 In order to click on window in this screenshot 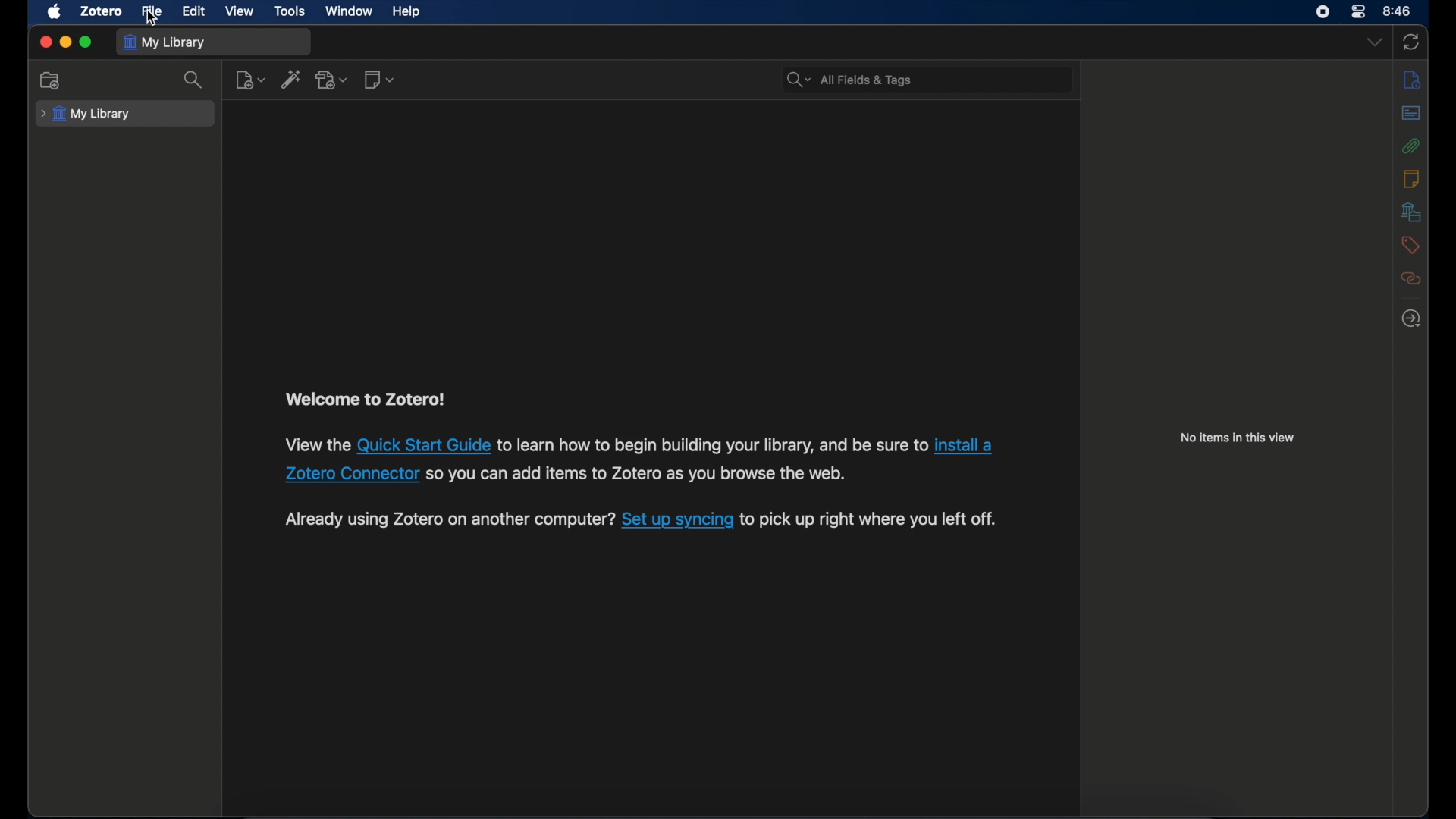, I will do `click(350, 11)`.